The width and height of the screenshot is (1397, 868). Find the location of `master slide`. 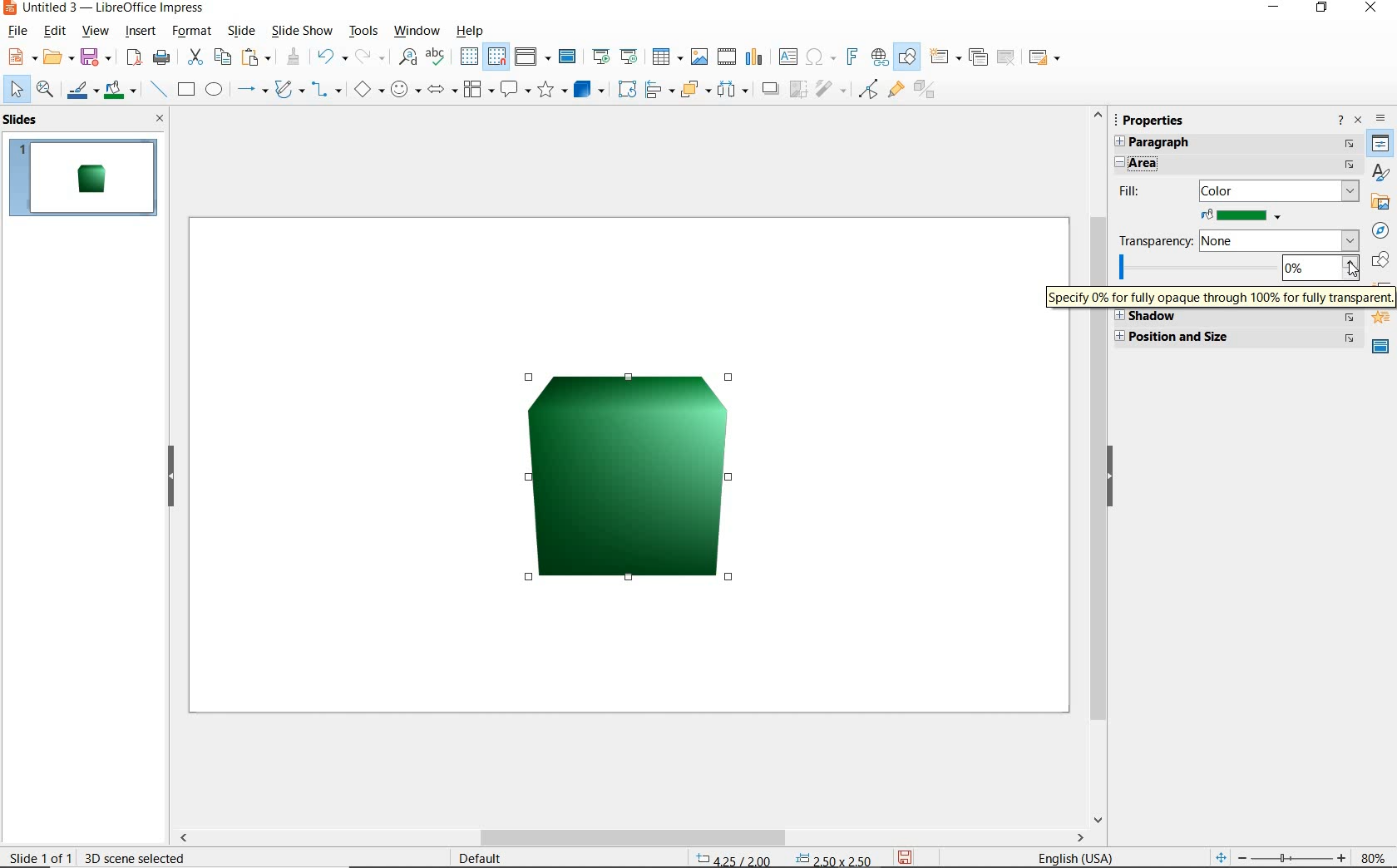

master slide is located at coordinates (568, 57).